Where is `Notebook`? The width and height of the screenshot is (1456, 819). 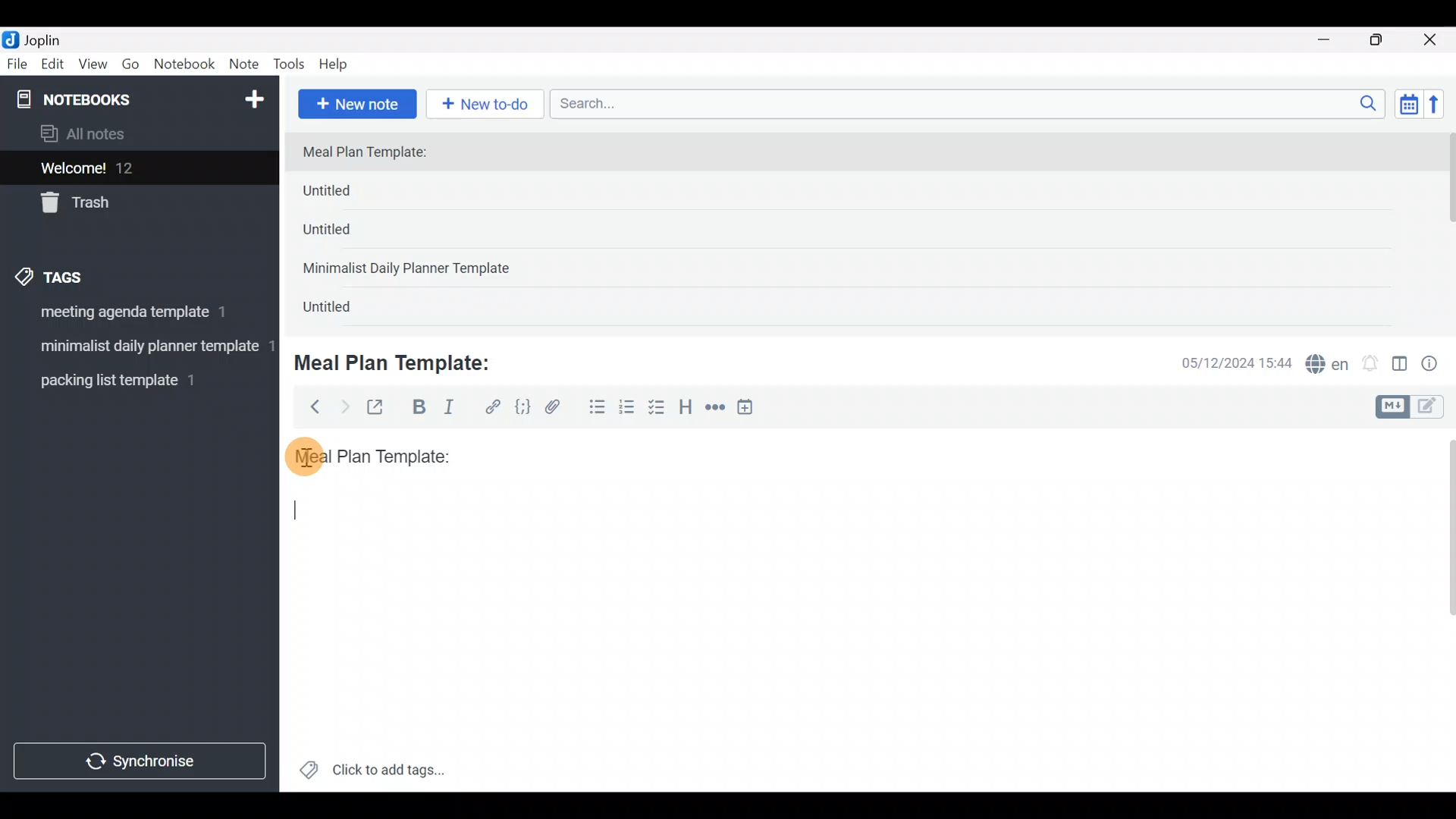 Notebook is located at coordinates (185, 64).